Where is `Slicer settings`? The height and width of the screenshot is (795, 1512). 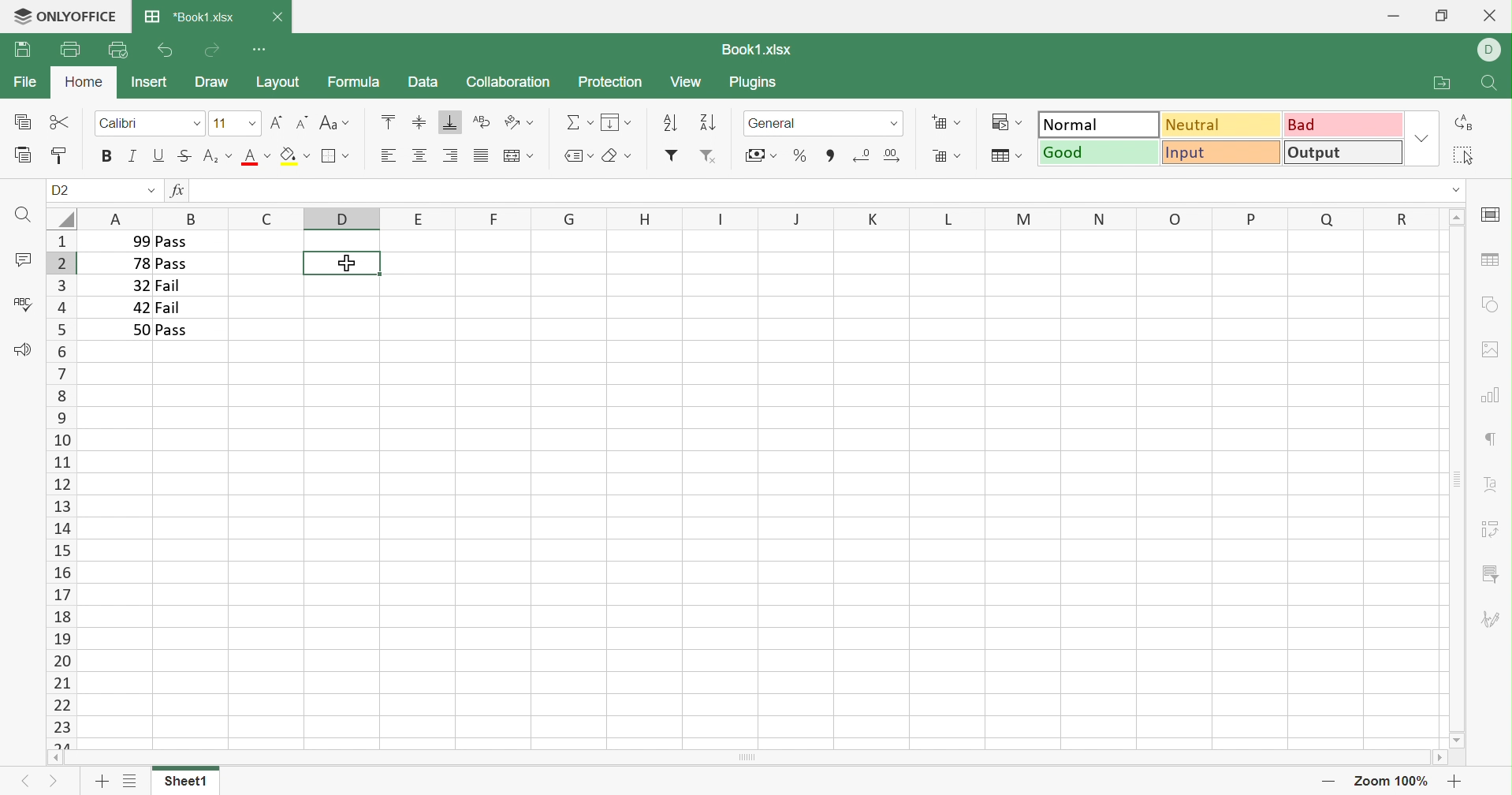 Slicer settings is located at coordinates (1493, 575).